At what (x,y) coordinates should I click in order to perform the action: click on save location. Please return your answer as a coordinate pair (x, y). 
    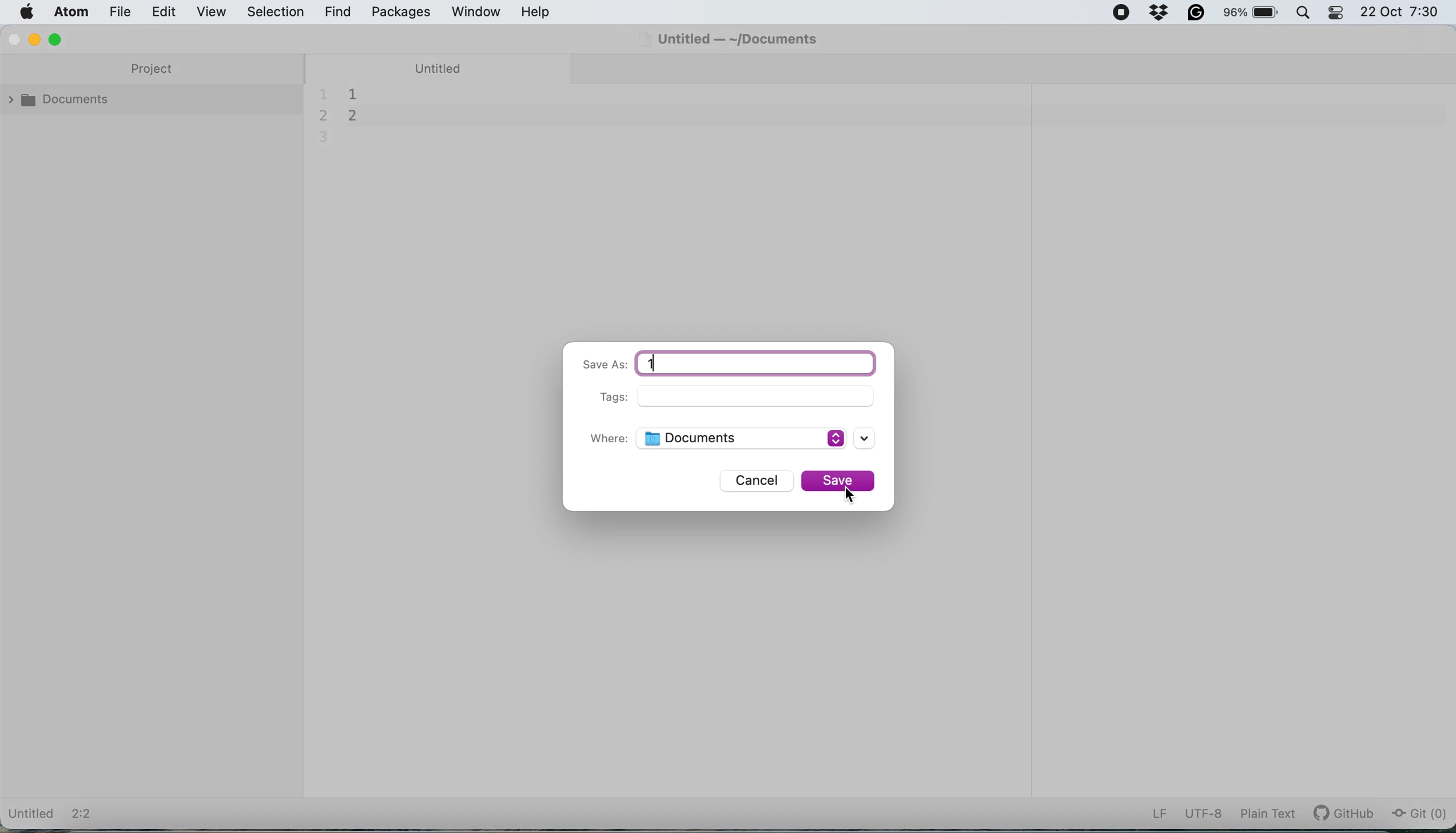
    Looking at the image, I should click on (755, 439).